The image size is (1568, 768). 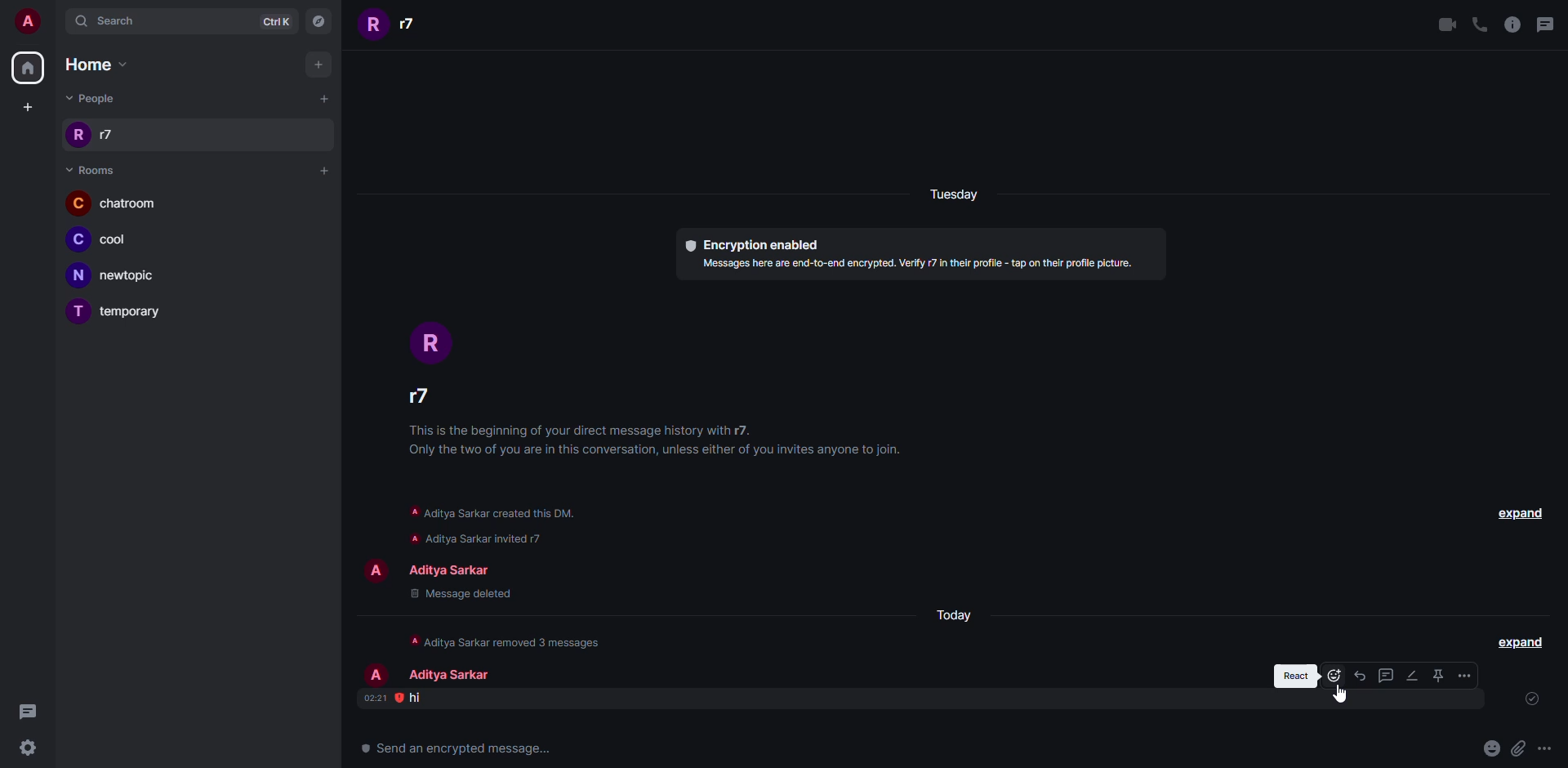 I want to click on day, so click(x=959, y=614).